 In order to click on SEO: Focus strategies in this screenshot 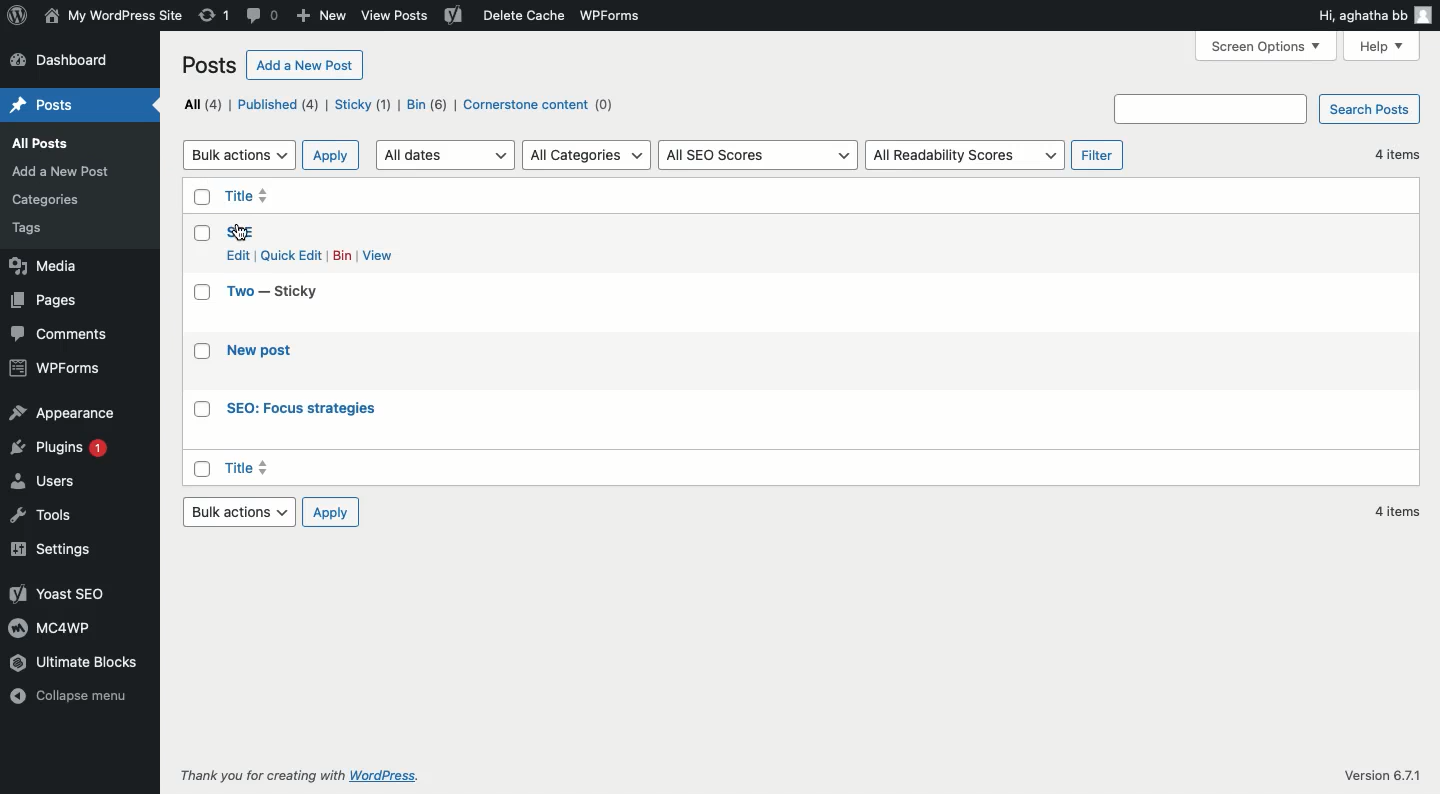, I will do `click(322, 409)`.